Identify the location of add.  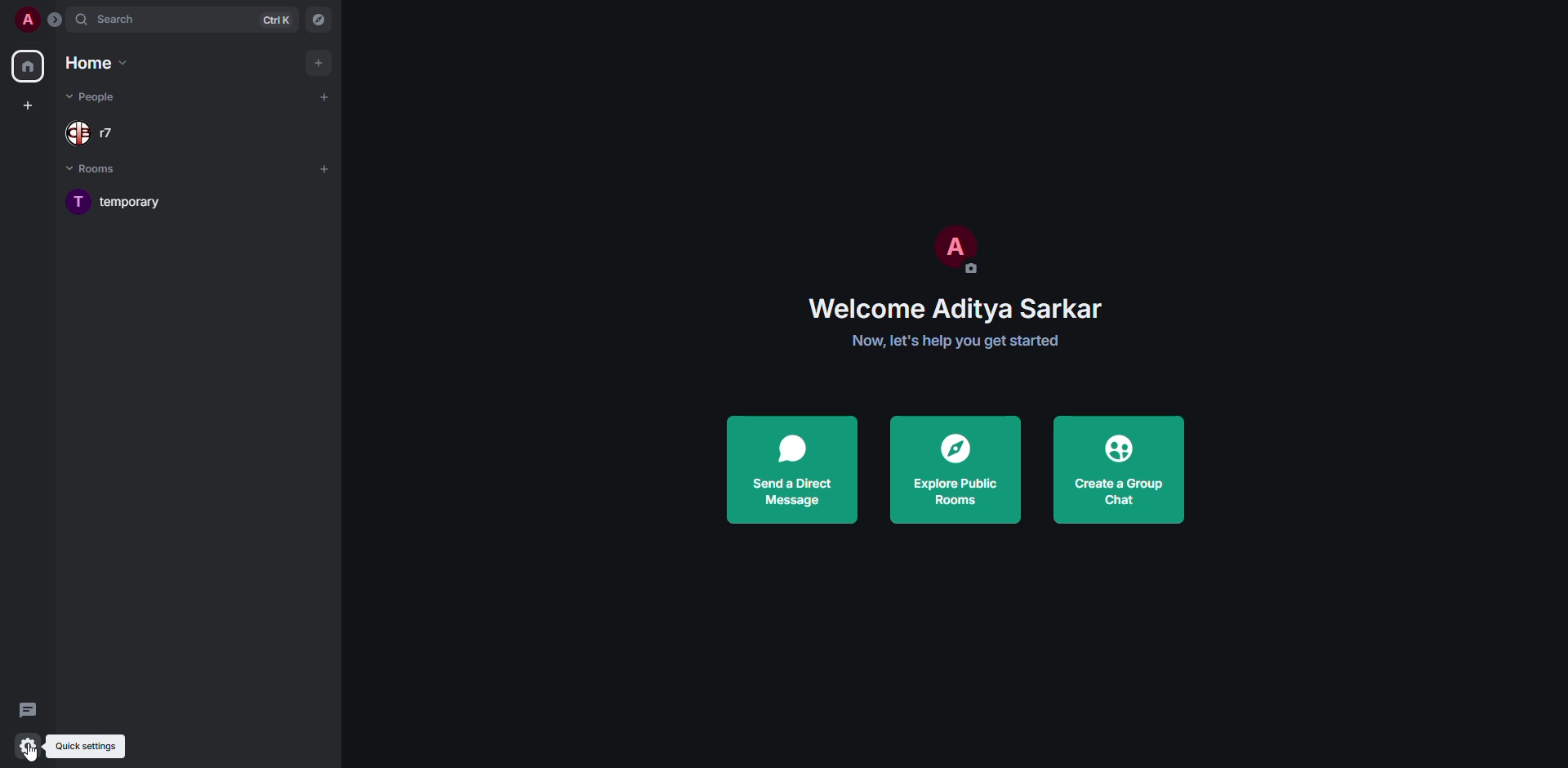
(325, 169).